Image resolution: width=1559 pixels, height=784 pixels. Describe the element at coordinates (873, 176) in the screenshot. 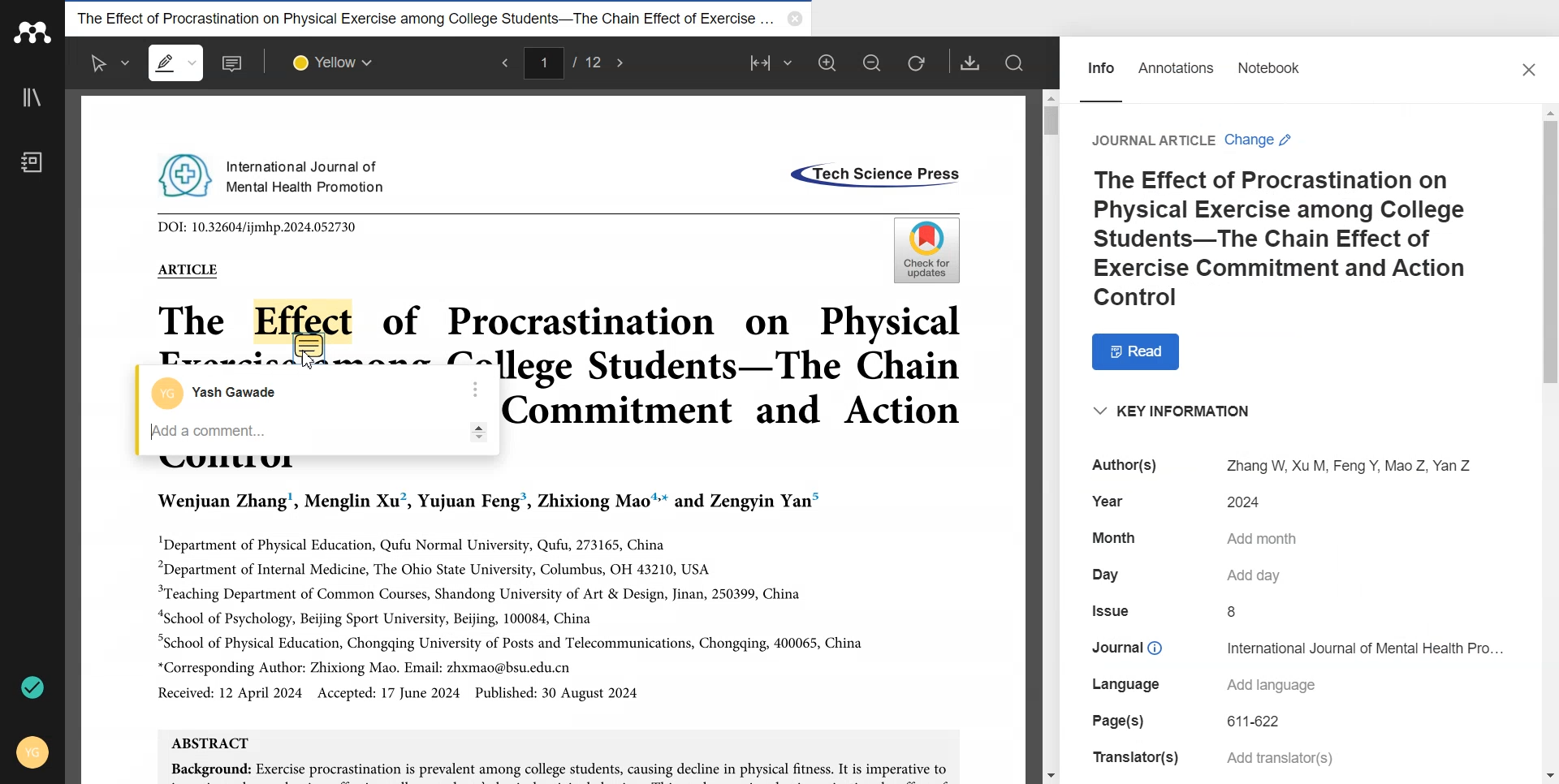

I see `«Tech Science Press` at that location.